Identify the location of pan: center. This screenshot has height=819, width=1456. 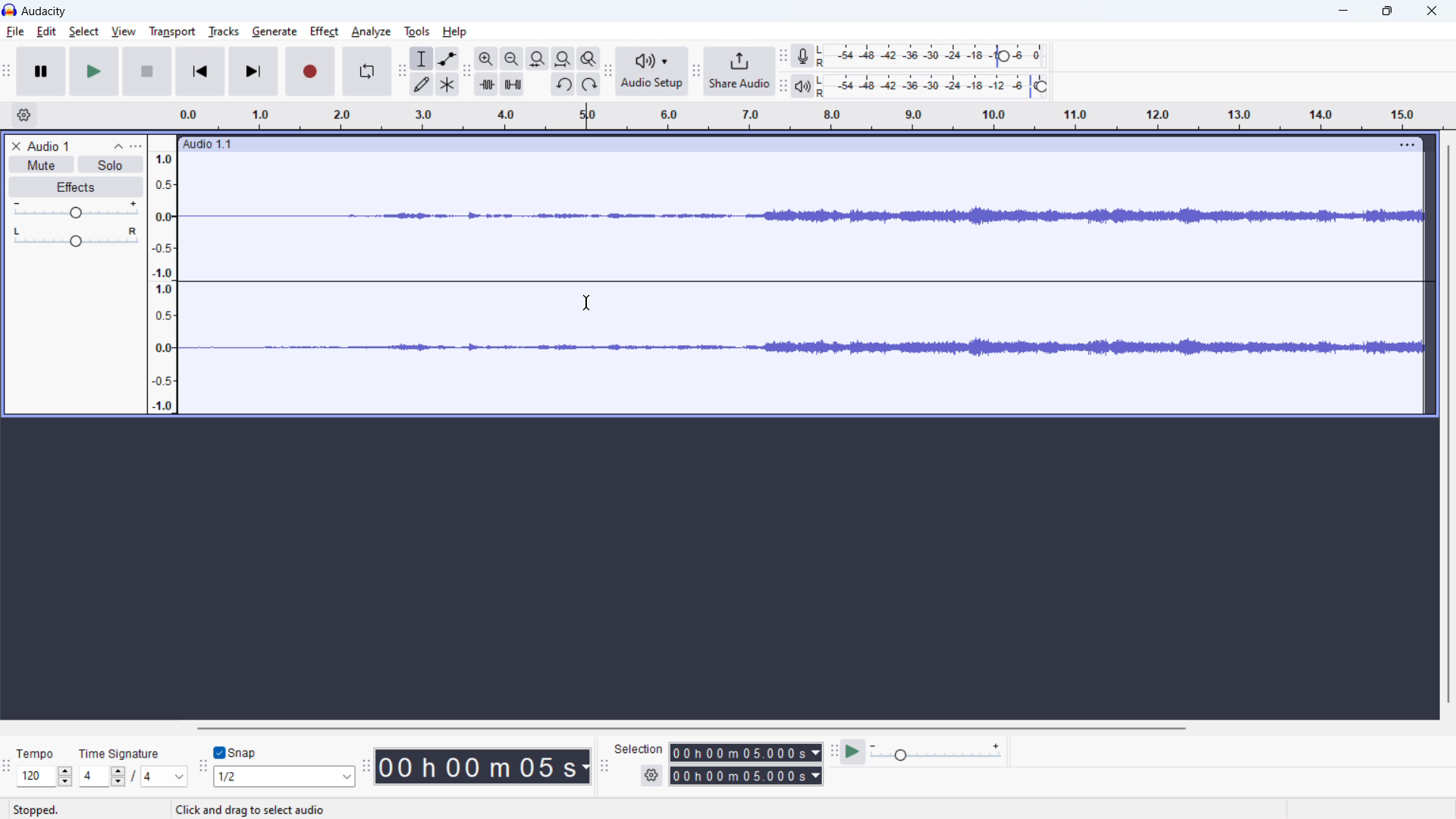
(76, 236).